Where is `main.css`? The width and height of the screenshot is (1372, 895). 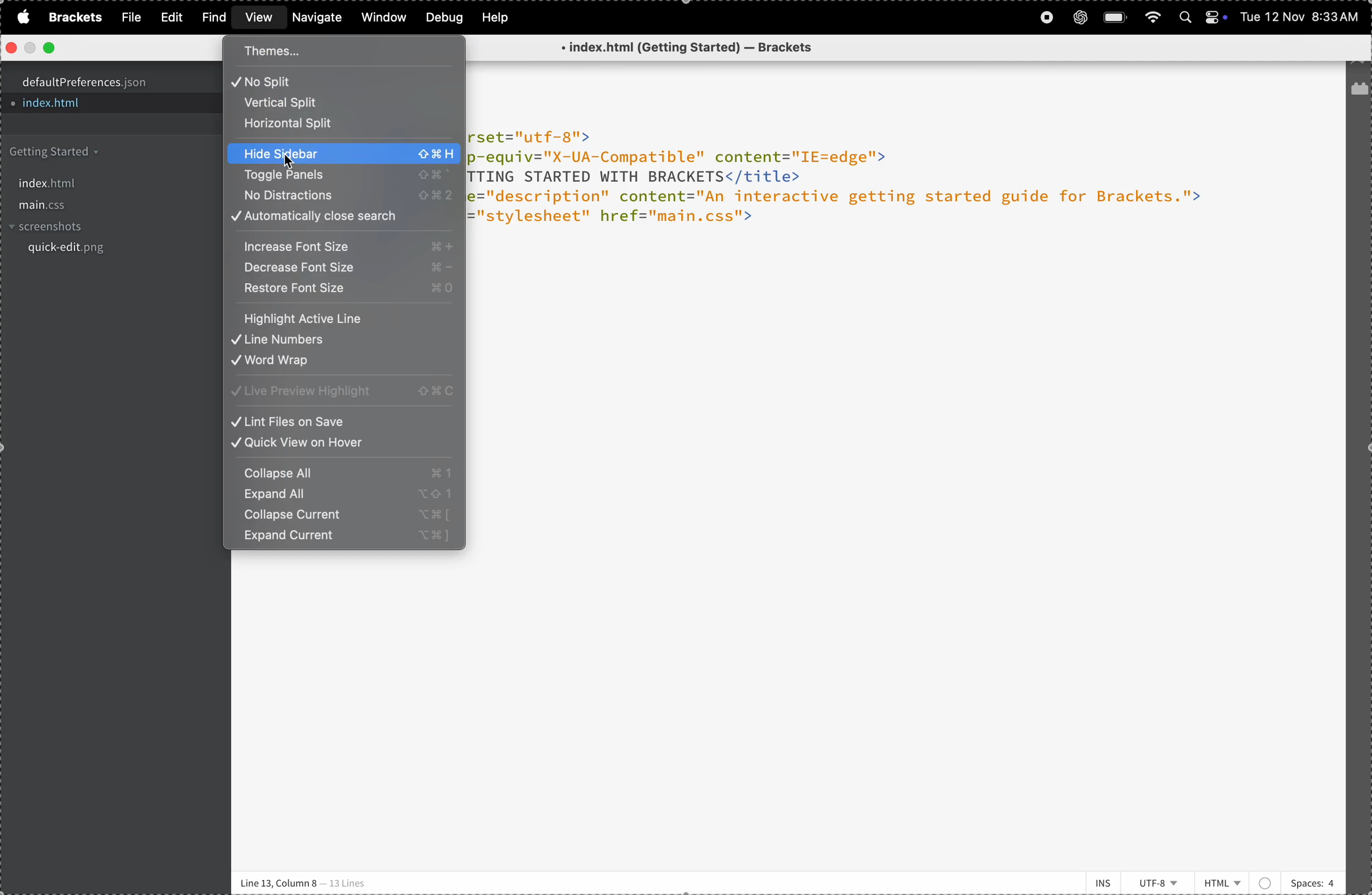
main.css is located at coordinates (105, 206).